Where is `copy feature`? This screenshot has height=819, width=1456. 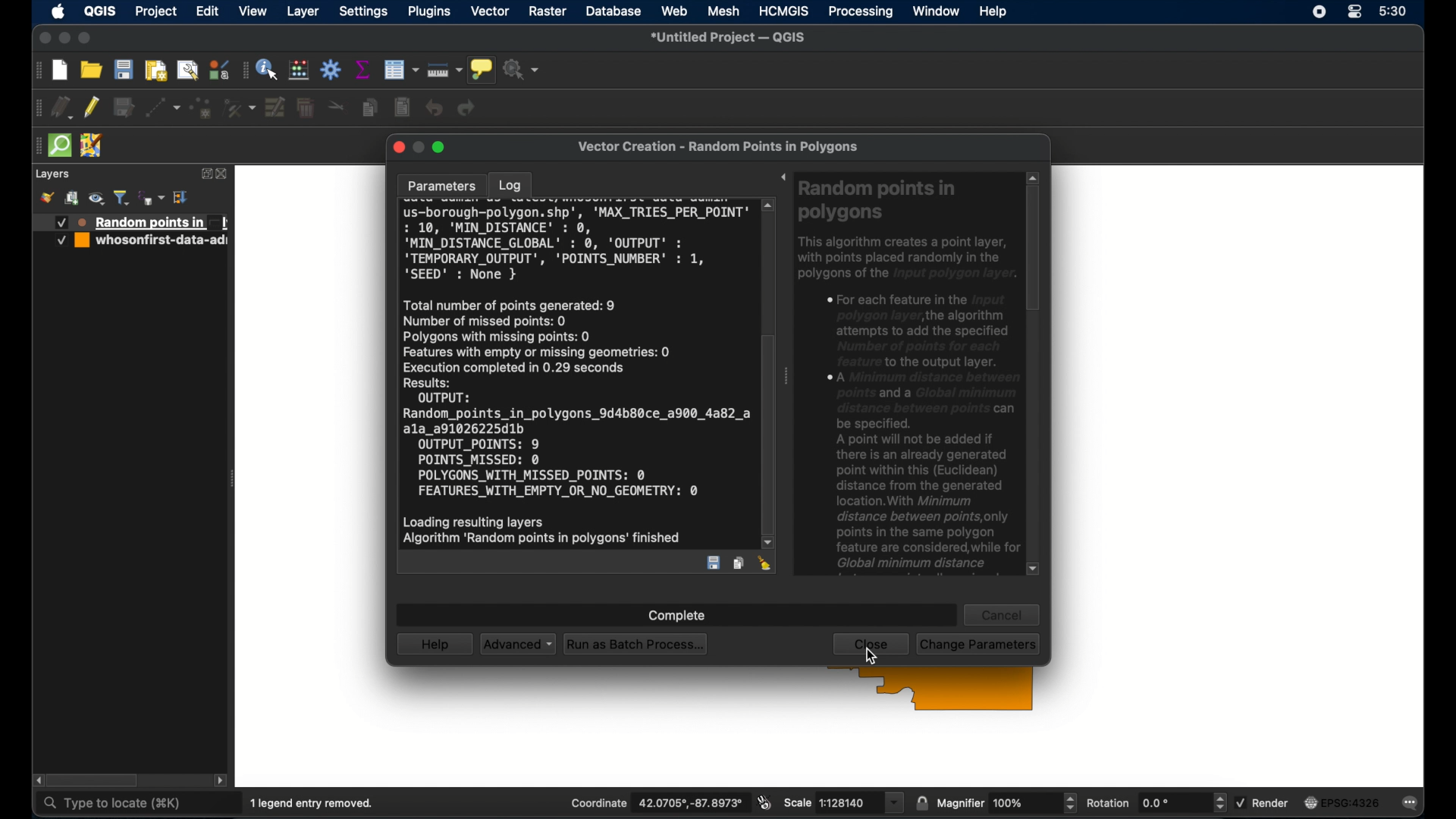
copy feature is located at coordinates (370, 108).